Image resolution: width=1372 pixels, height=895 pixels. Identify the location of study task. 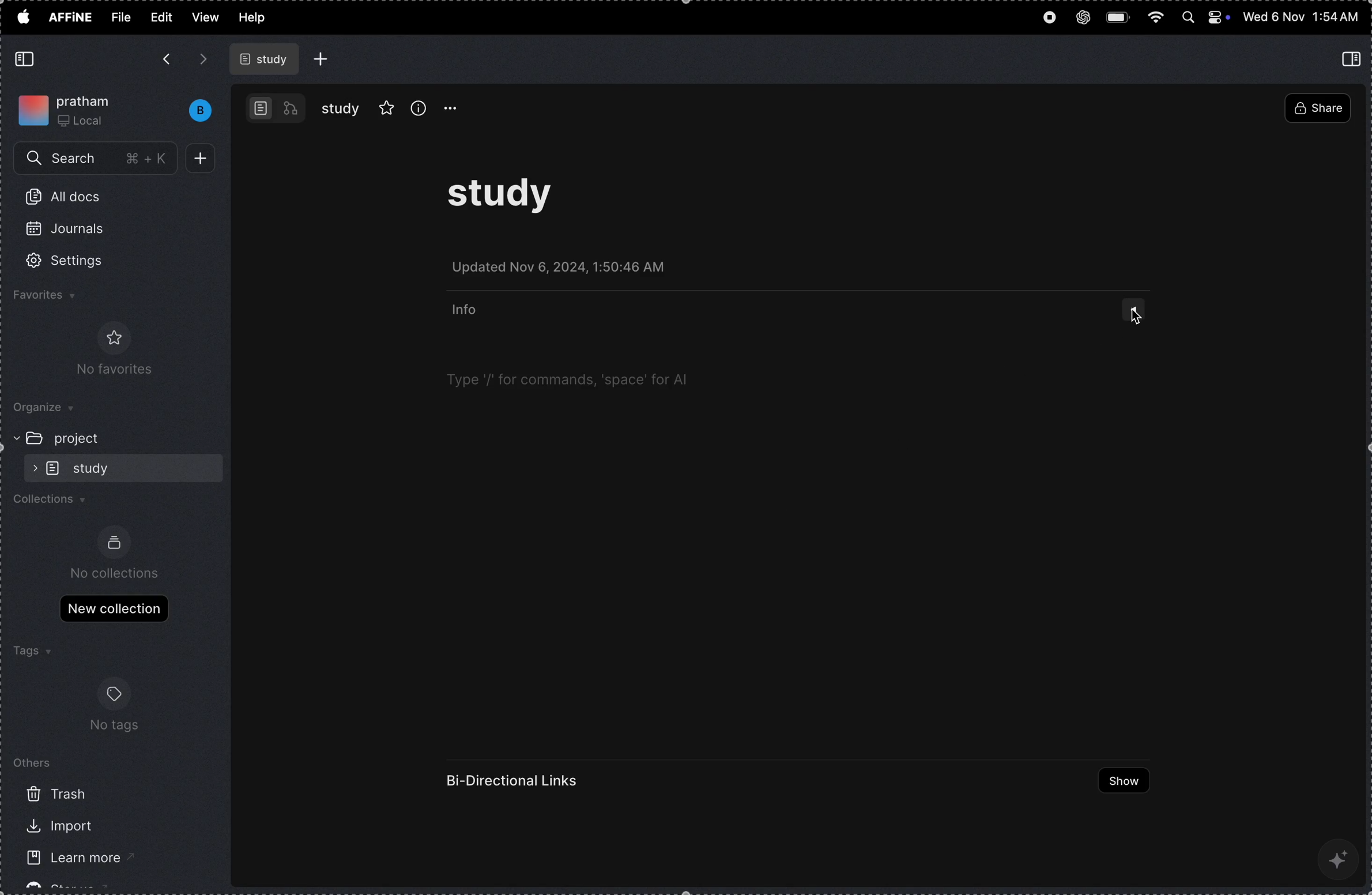
(510, 200).